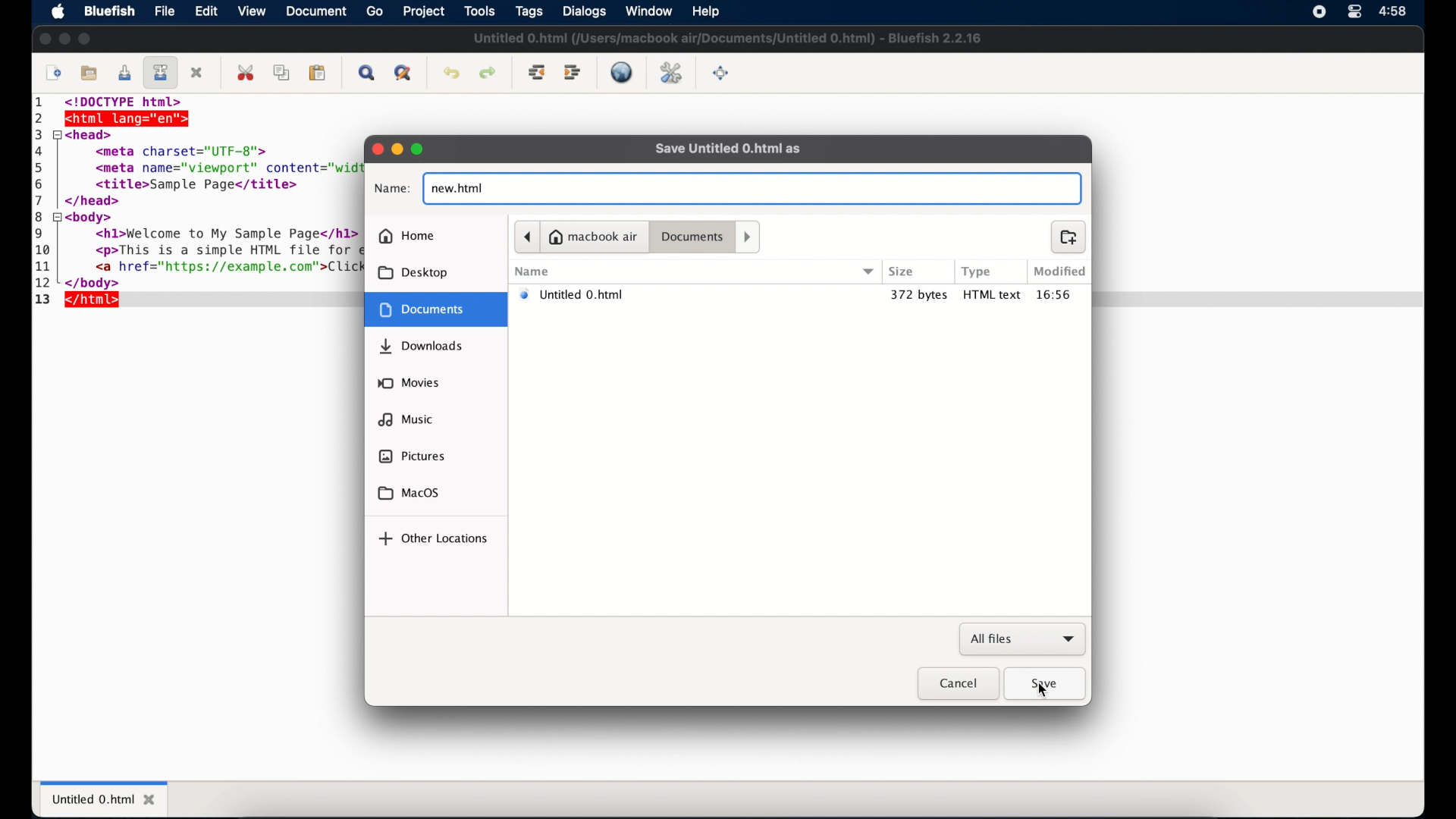 Image resolution: width=1456 pixels, height=819 pixels. What do you see at coordinates (42, 199) in the screenshot?
I see `7` at bounding box center [42, 199].